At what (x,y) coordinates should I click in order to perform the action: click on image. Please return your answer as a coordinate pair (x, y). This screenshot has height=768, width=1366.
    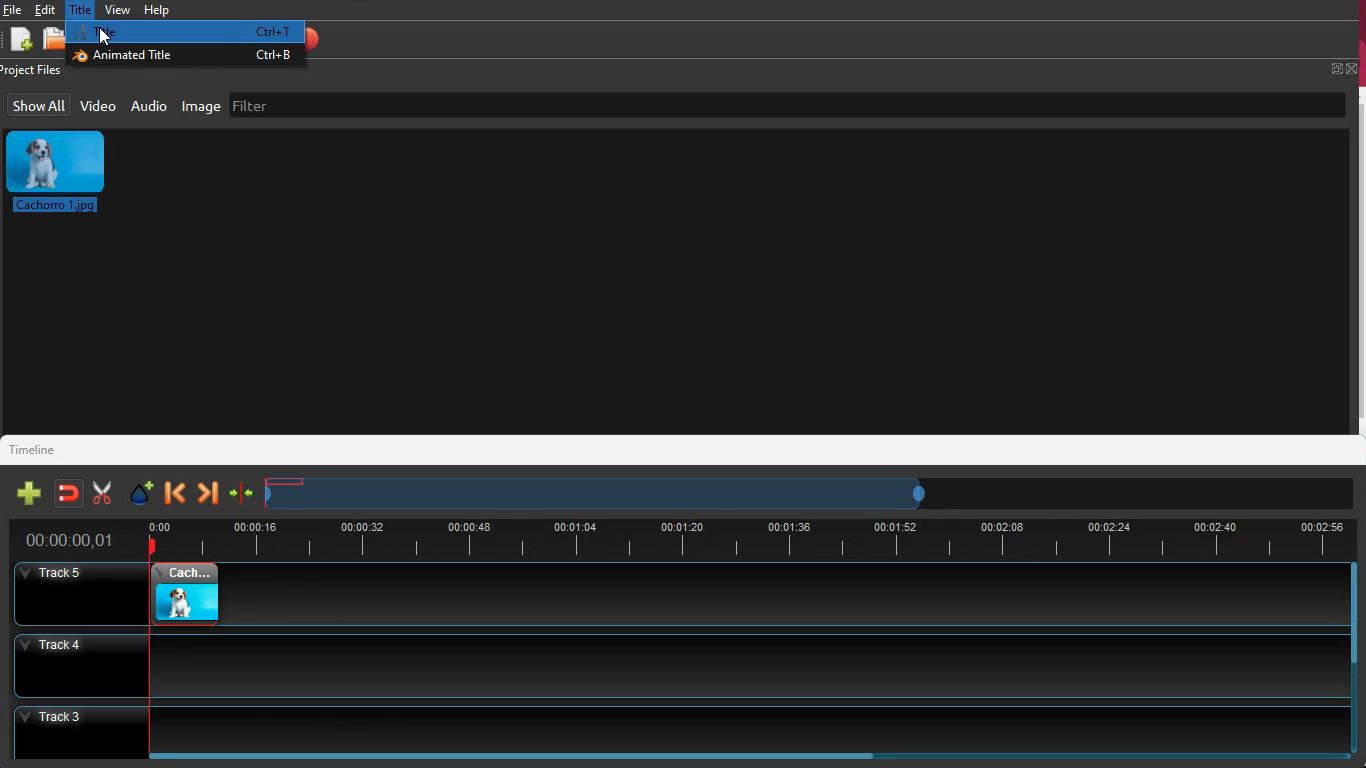
    Looking at the image, I should click on (177, 596).